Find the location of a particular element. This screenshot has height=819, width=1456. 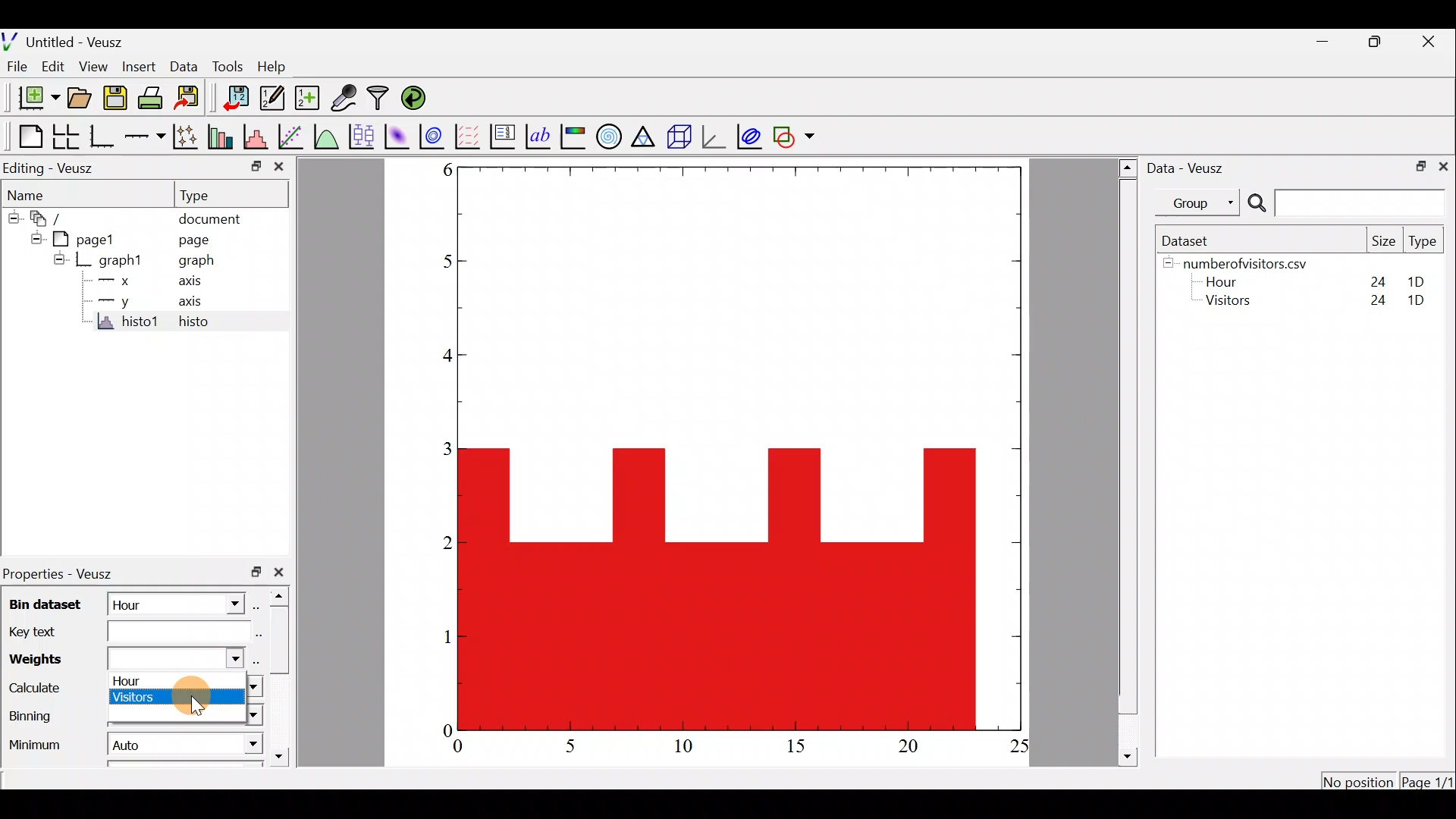

axis is located at coordinates (188, 305).